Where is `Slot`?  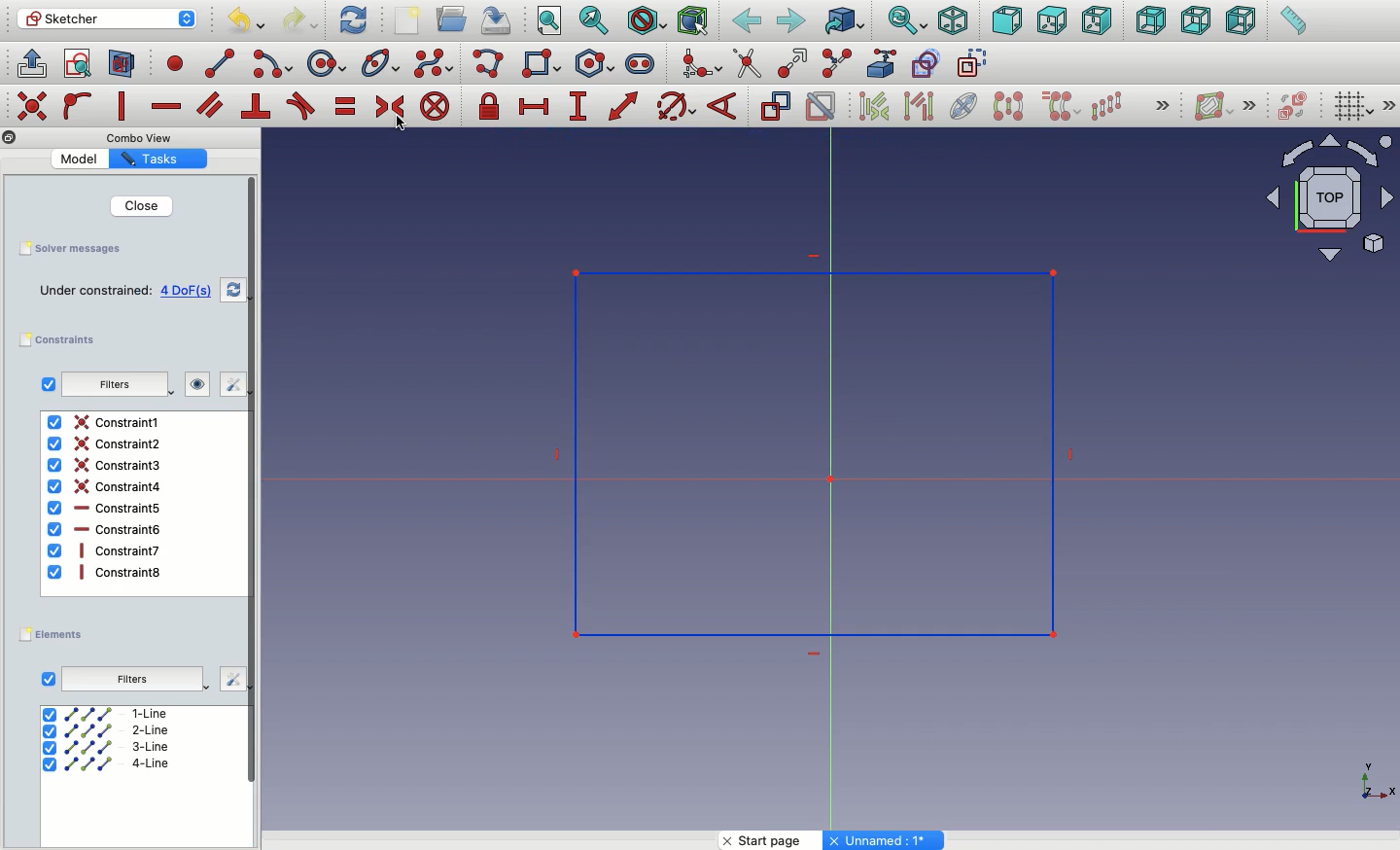
Slot is located at coordinates (642, 63).